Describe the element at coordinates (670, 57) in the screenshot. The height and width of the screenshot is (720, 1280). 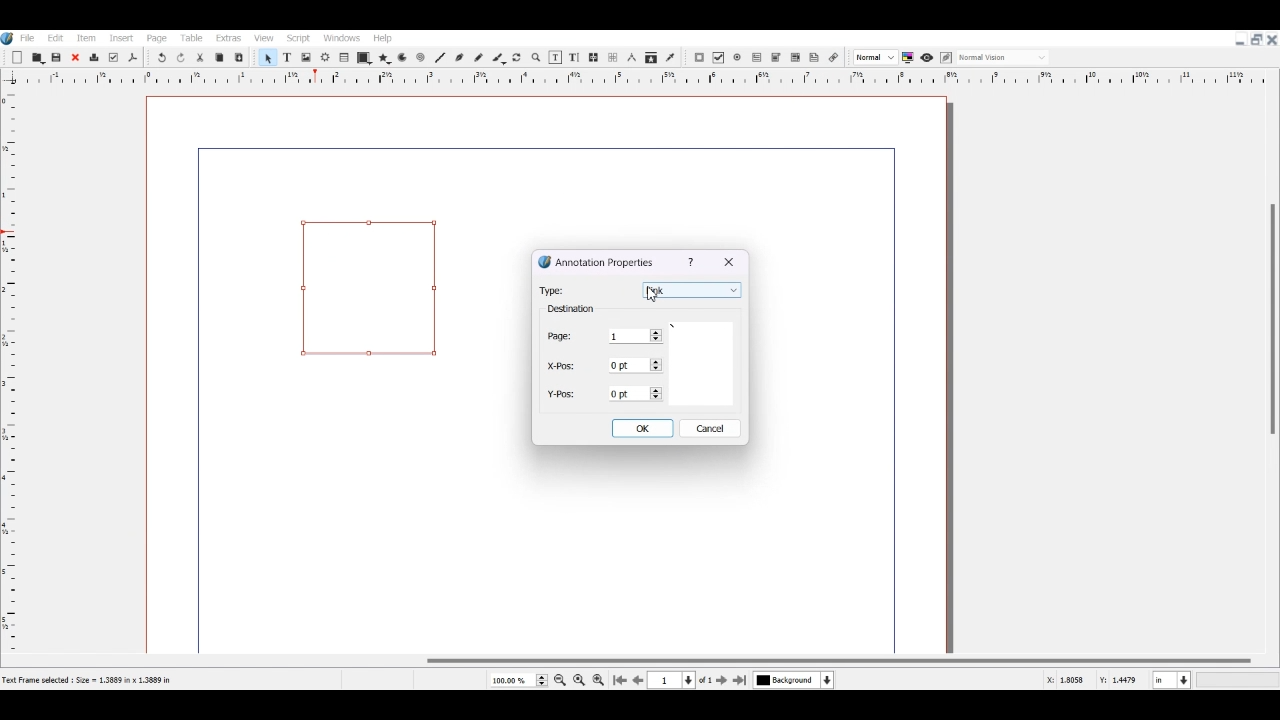
I see `Eye dropper` at that location.